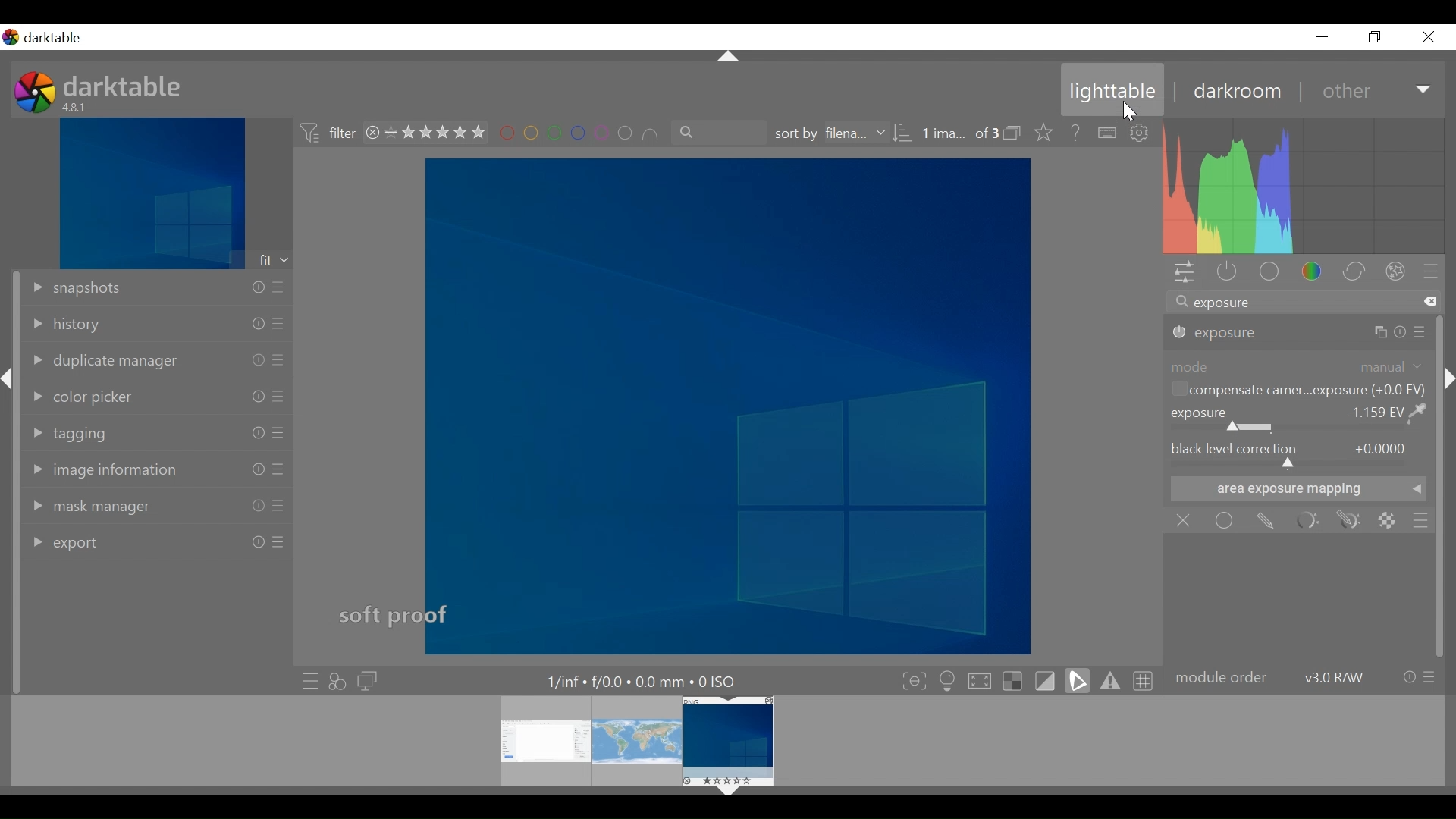 Image resolution: width=1456 pixels, height=819 pixels. Describe the element at coordinates (1409, 677) in the screenshot. I see `info` at that location.